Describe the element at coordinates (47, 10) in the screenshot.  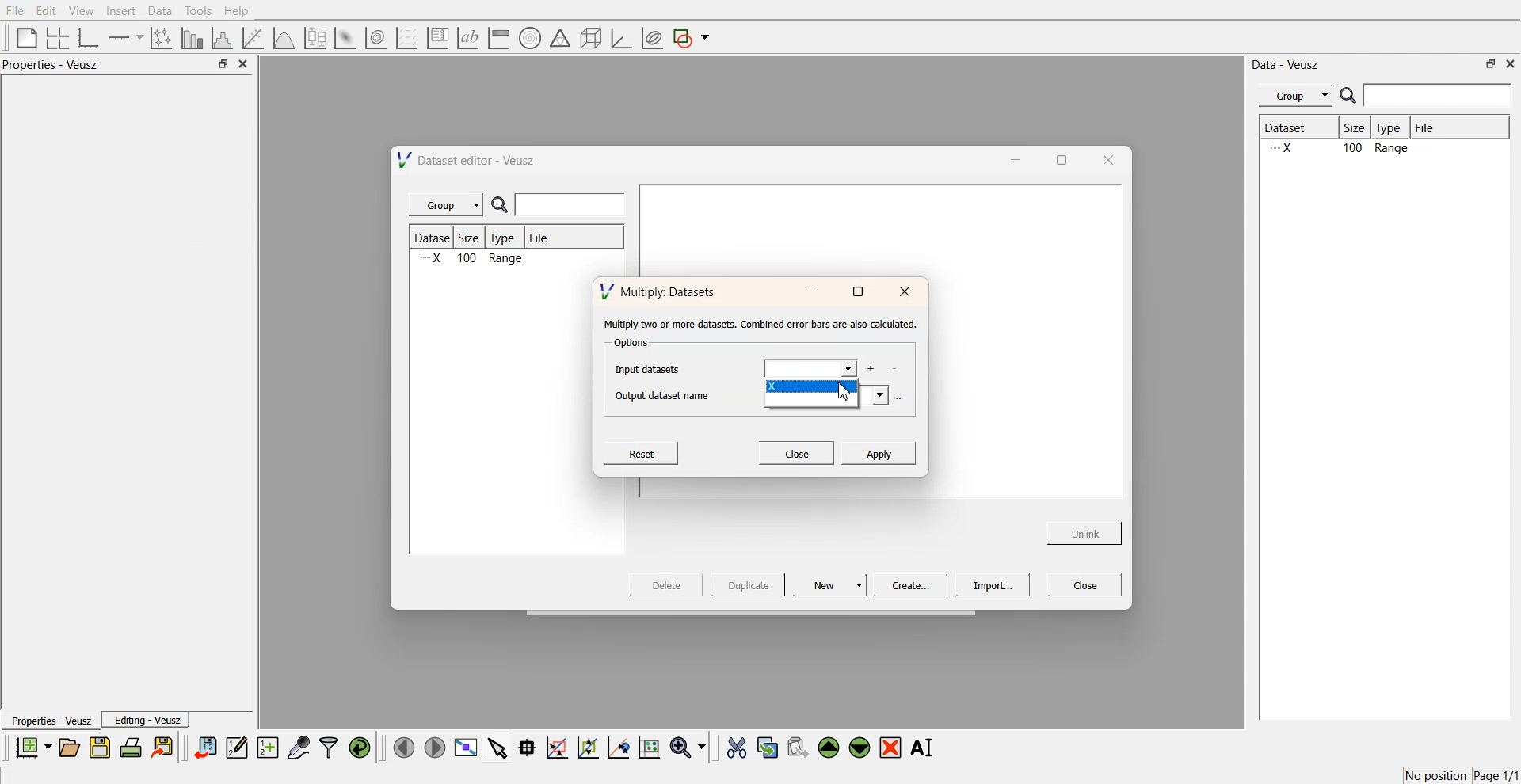
I see `Edit` at that location.